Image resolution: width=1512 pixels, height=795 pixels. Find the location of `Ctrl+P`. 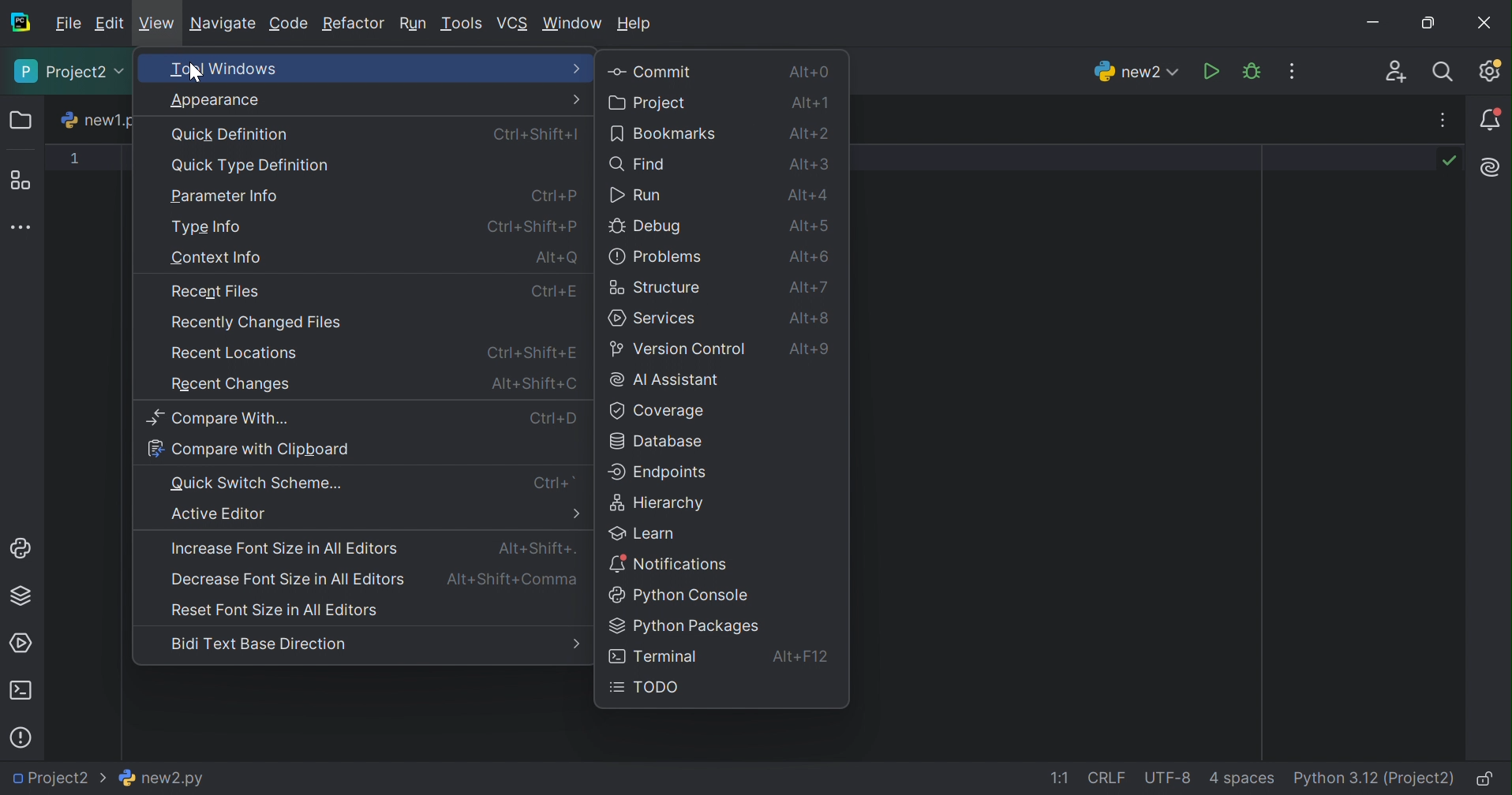

Ctrl+P is located at coordinates (553, 194).